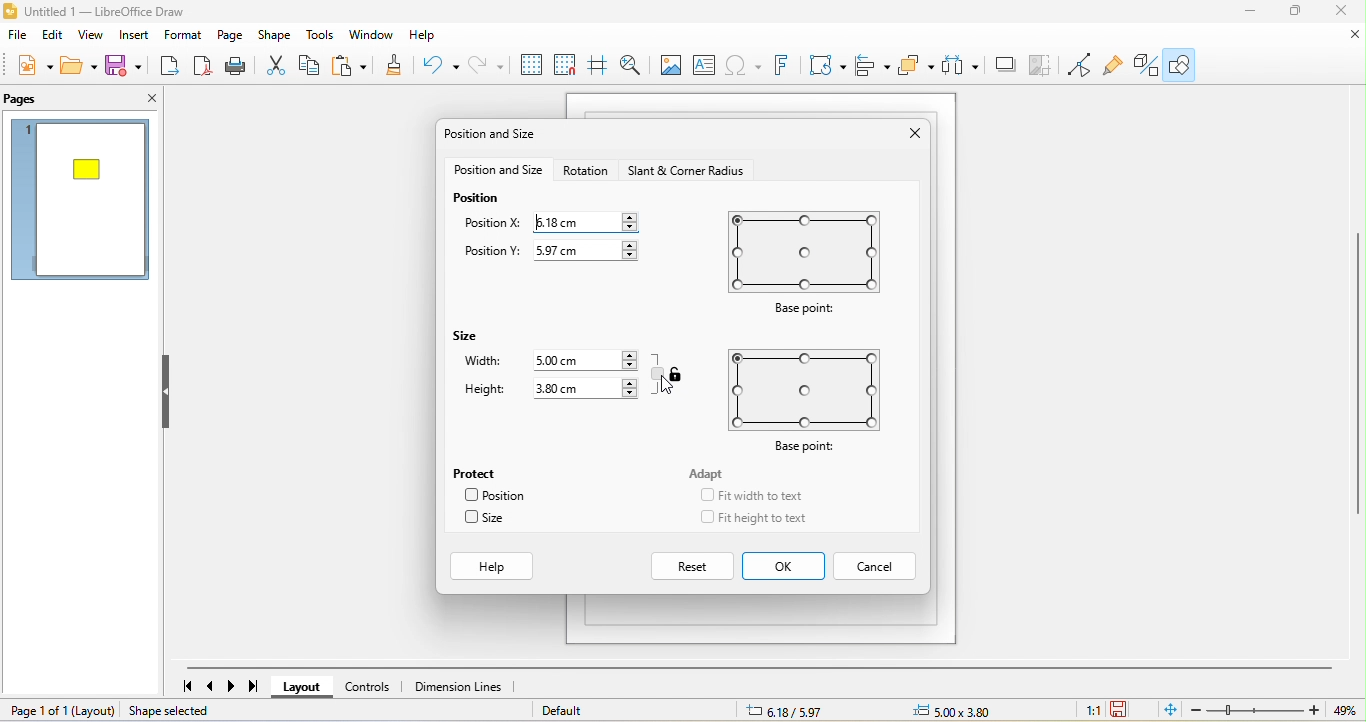  I want to click on first page, so click(184, 687).